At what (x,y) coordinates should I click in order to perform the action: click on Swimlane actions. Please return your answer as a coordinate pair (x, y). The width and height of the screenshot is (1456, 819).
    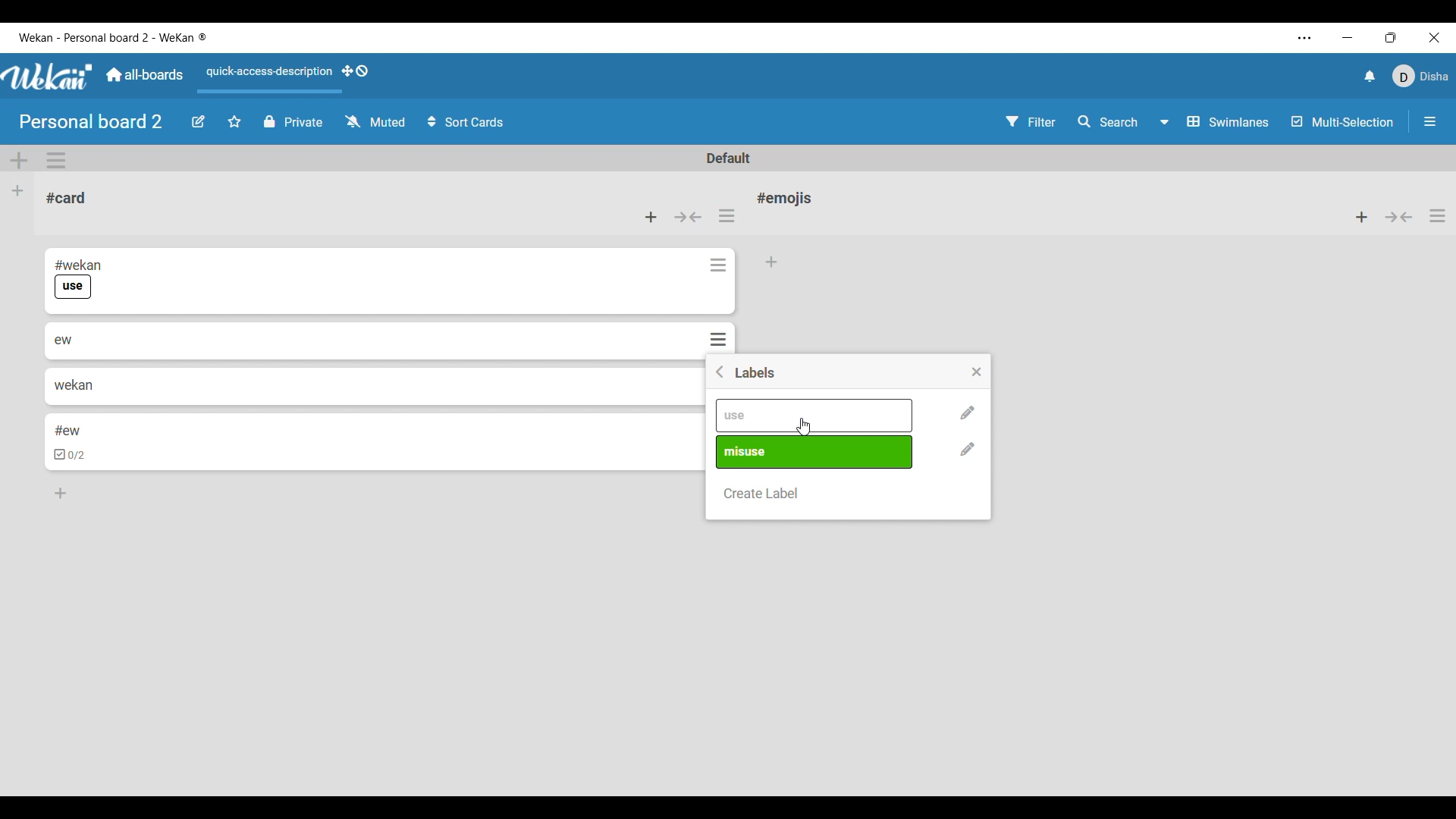
    Looking at the image, I should click on (56, 160).